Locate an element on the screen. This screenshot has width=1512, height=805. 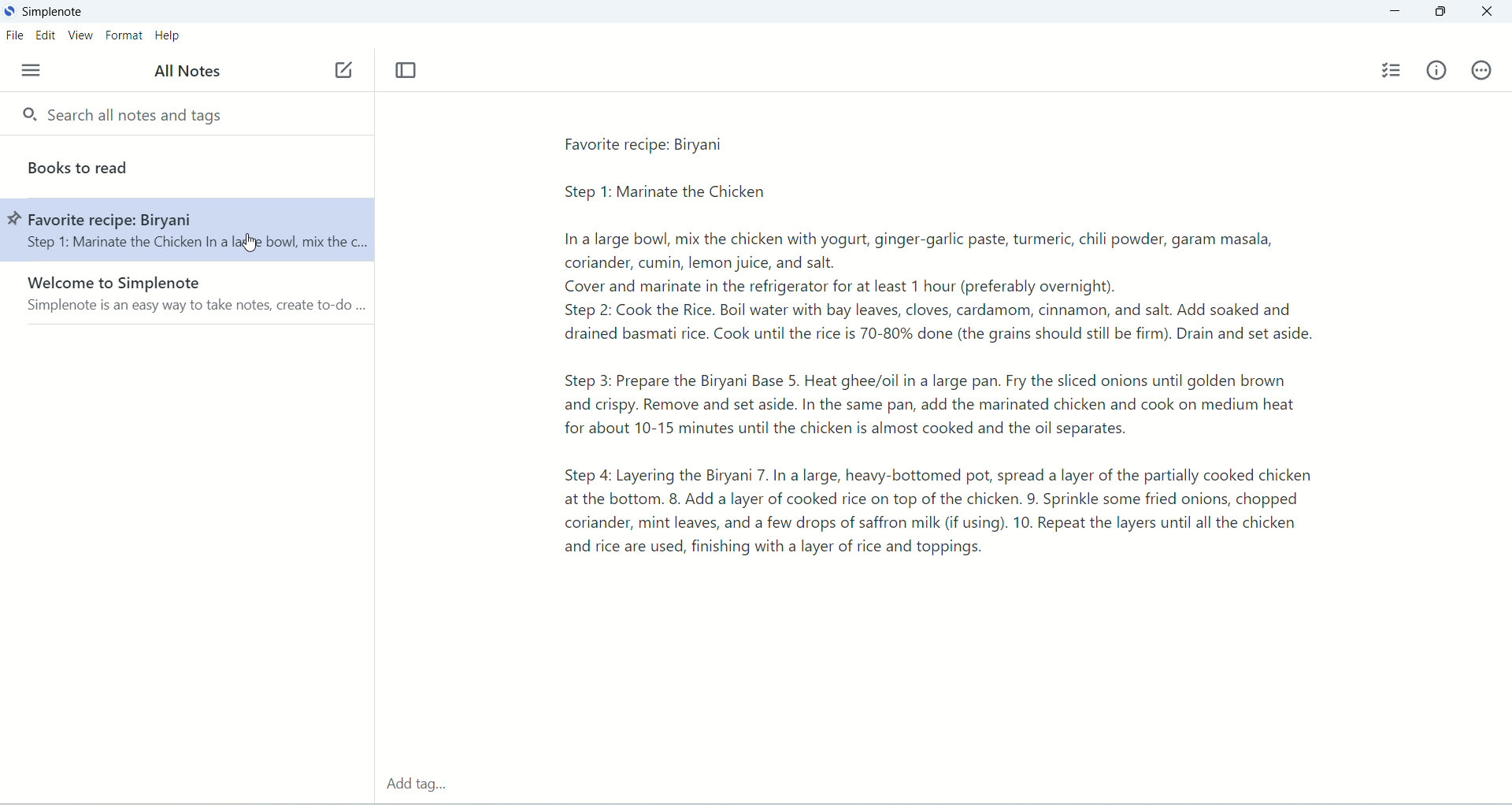
new note is located at coordinates (343, 69).